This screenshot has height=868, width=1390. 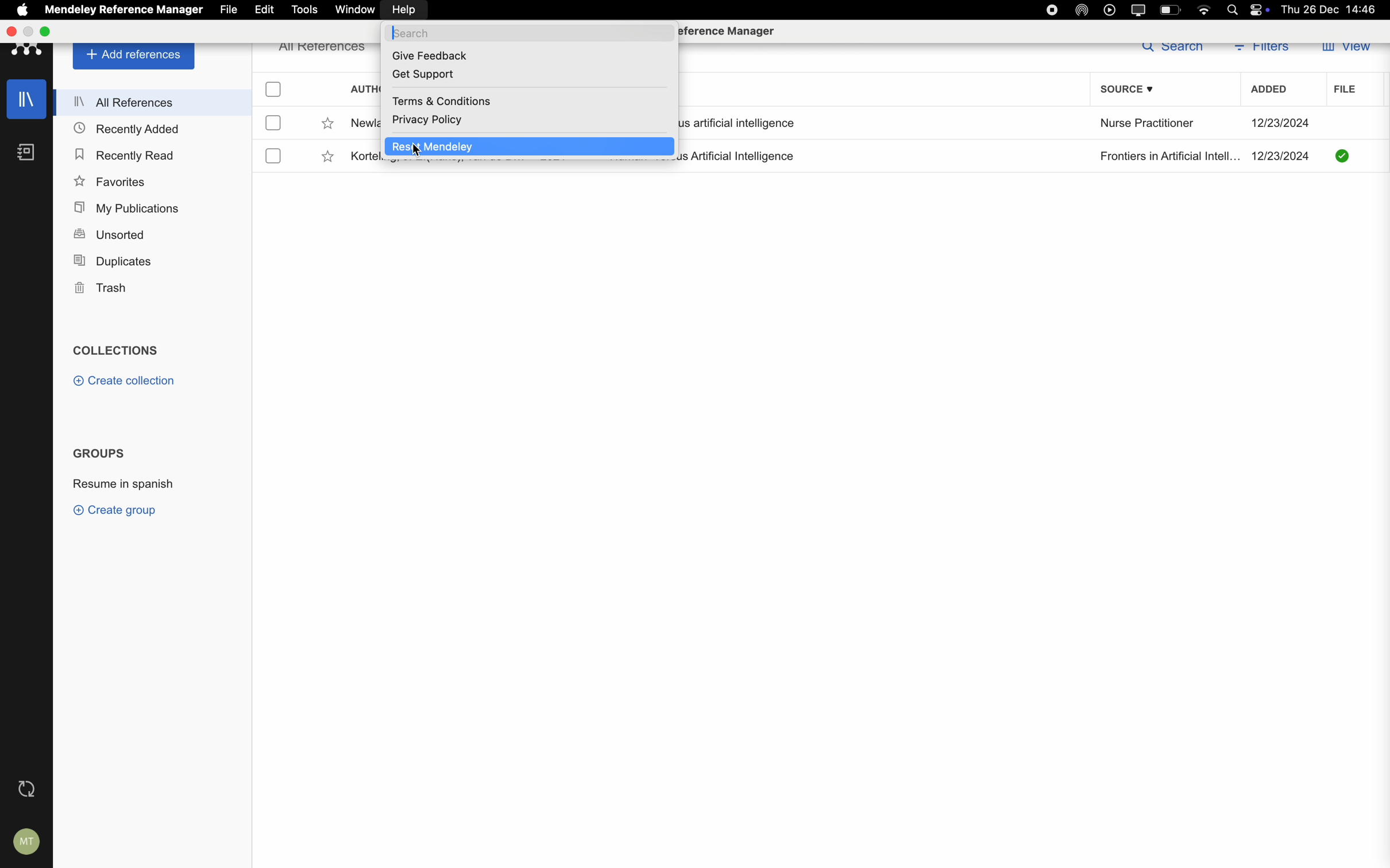 I want to click on privacy policy, so click(x=428, y=121).